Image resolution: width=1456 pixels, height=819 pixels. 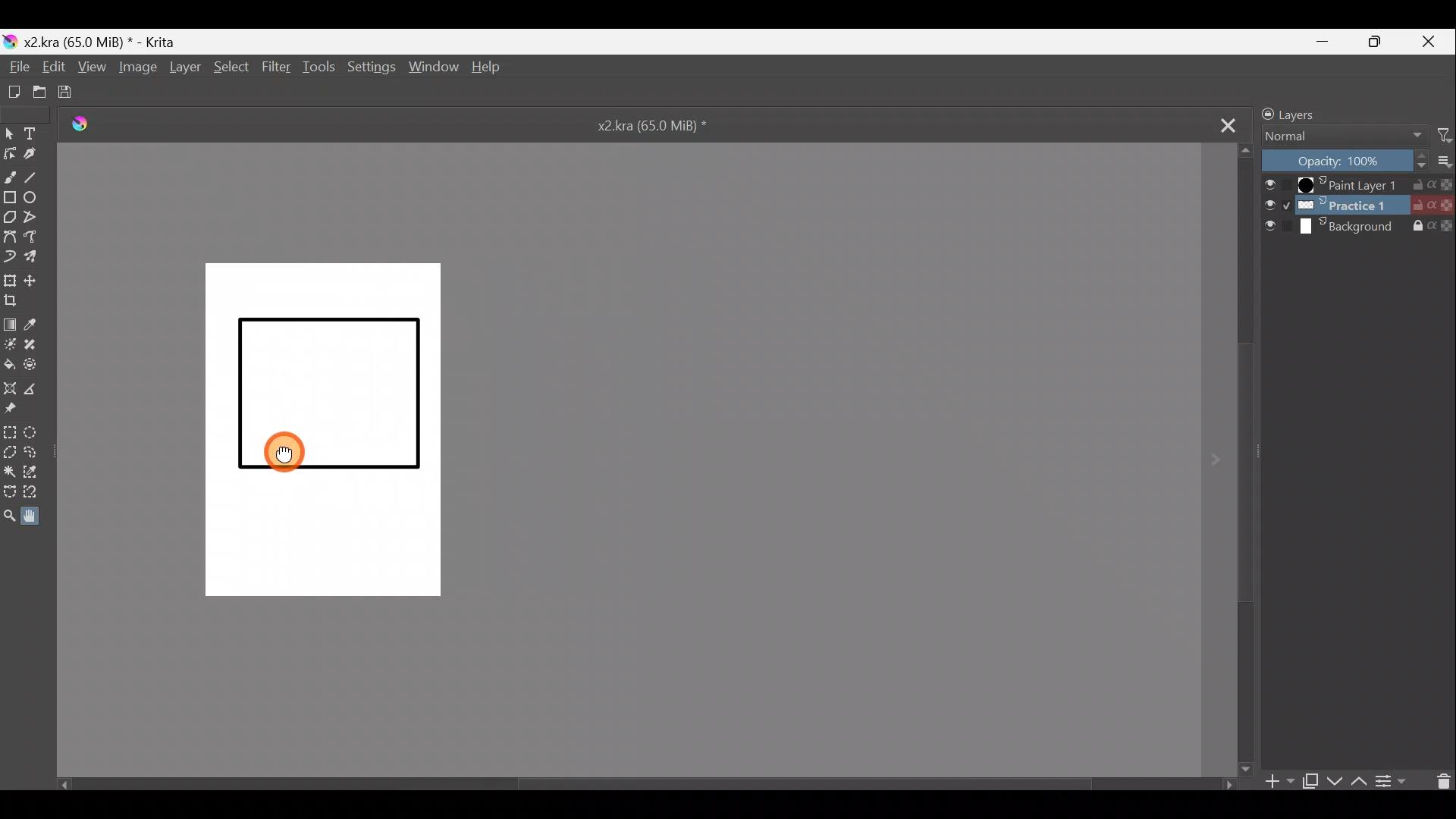 I want to click on Background, so click(x=1359, y=228).